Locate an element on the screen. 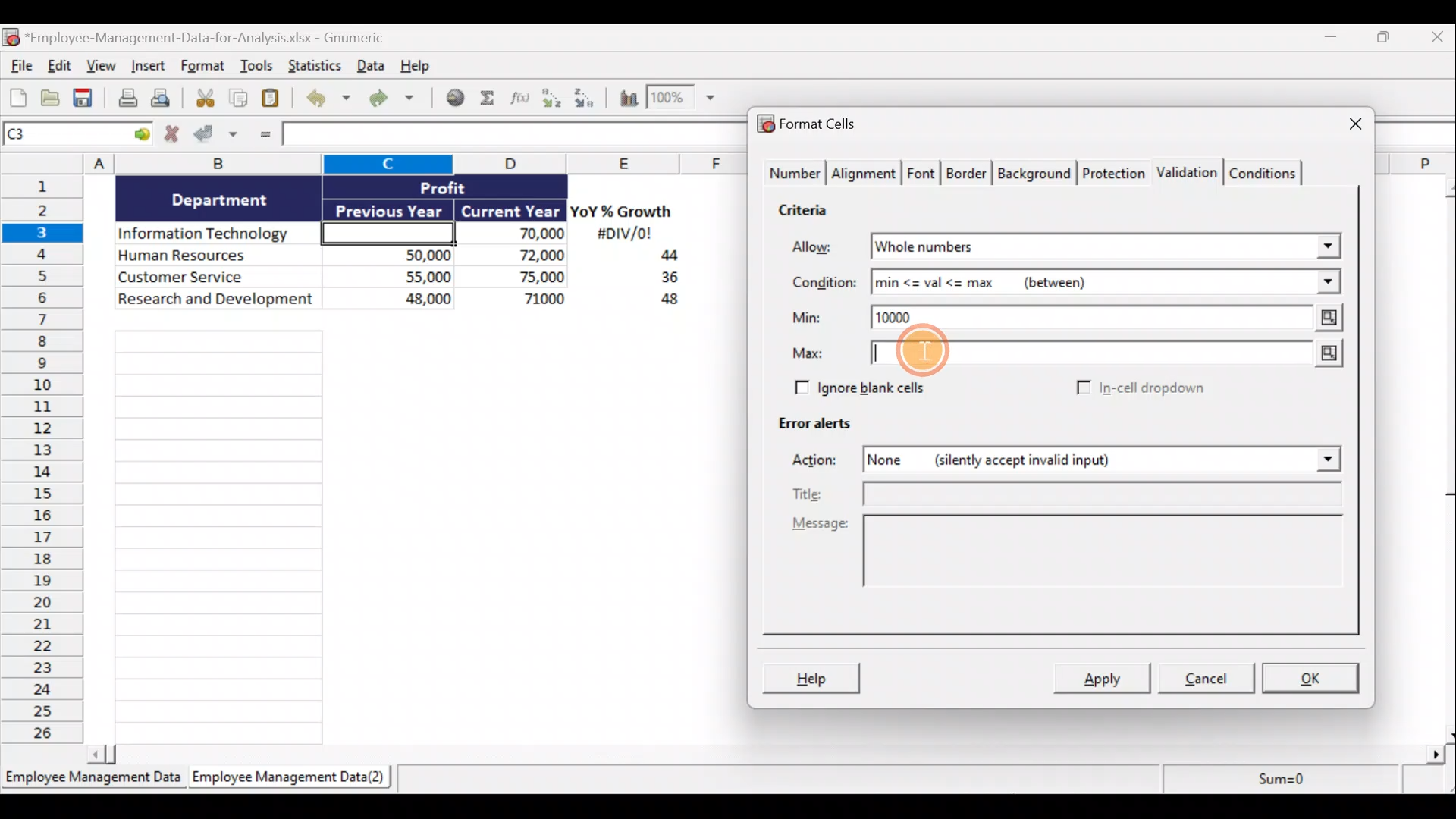  Research and development is located at coordinates (217, 300).